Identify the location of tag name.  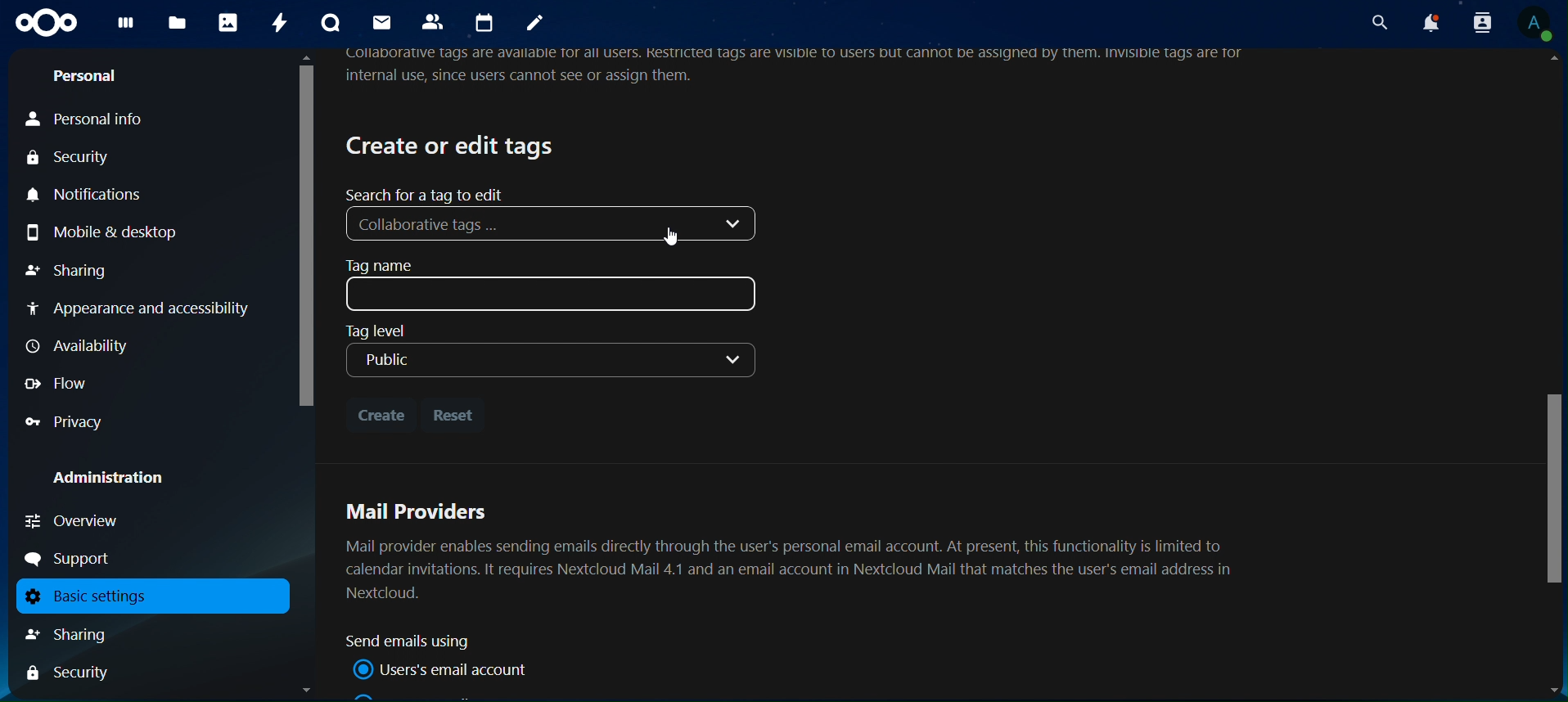
(555, 285).